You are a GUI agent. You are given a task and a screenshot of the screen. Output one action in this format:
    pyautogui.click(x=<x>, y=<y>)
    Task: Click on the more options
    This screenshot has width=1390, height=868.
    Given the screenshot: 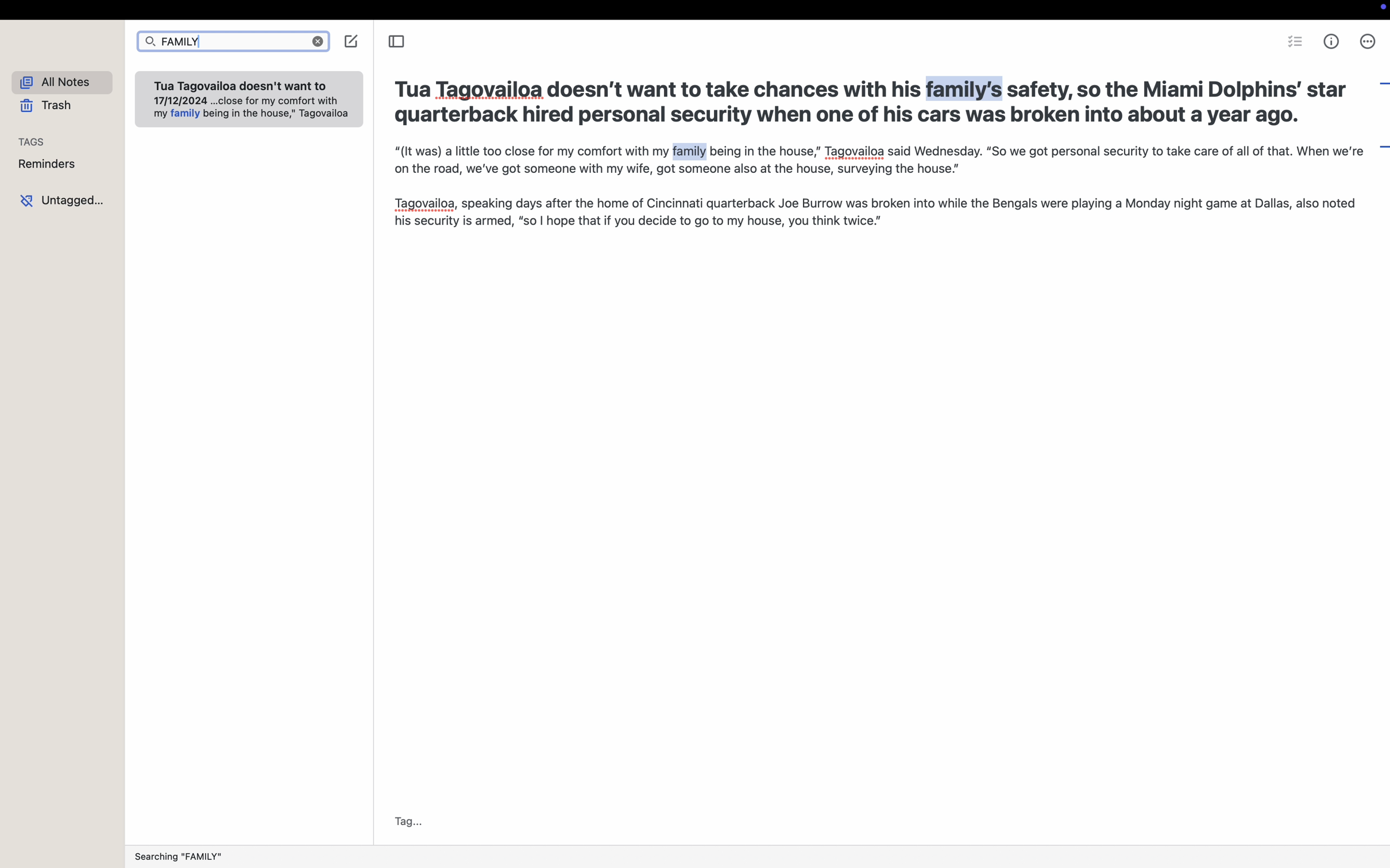 What is the action you would take?
    pyautogui.click(x=1368, y=41)
    